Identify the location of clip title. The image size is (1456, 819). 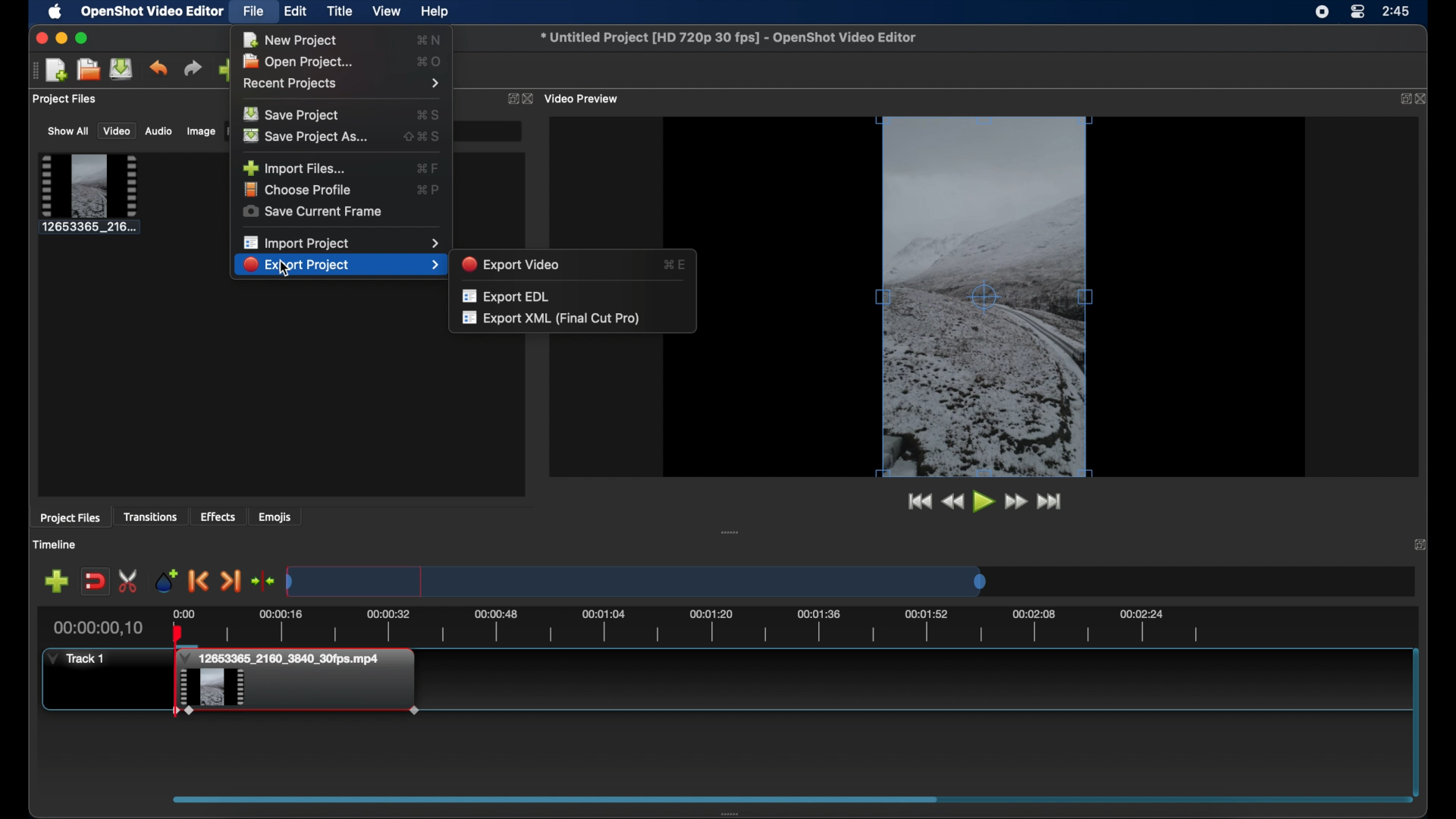
(285, 658).